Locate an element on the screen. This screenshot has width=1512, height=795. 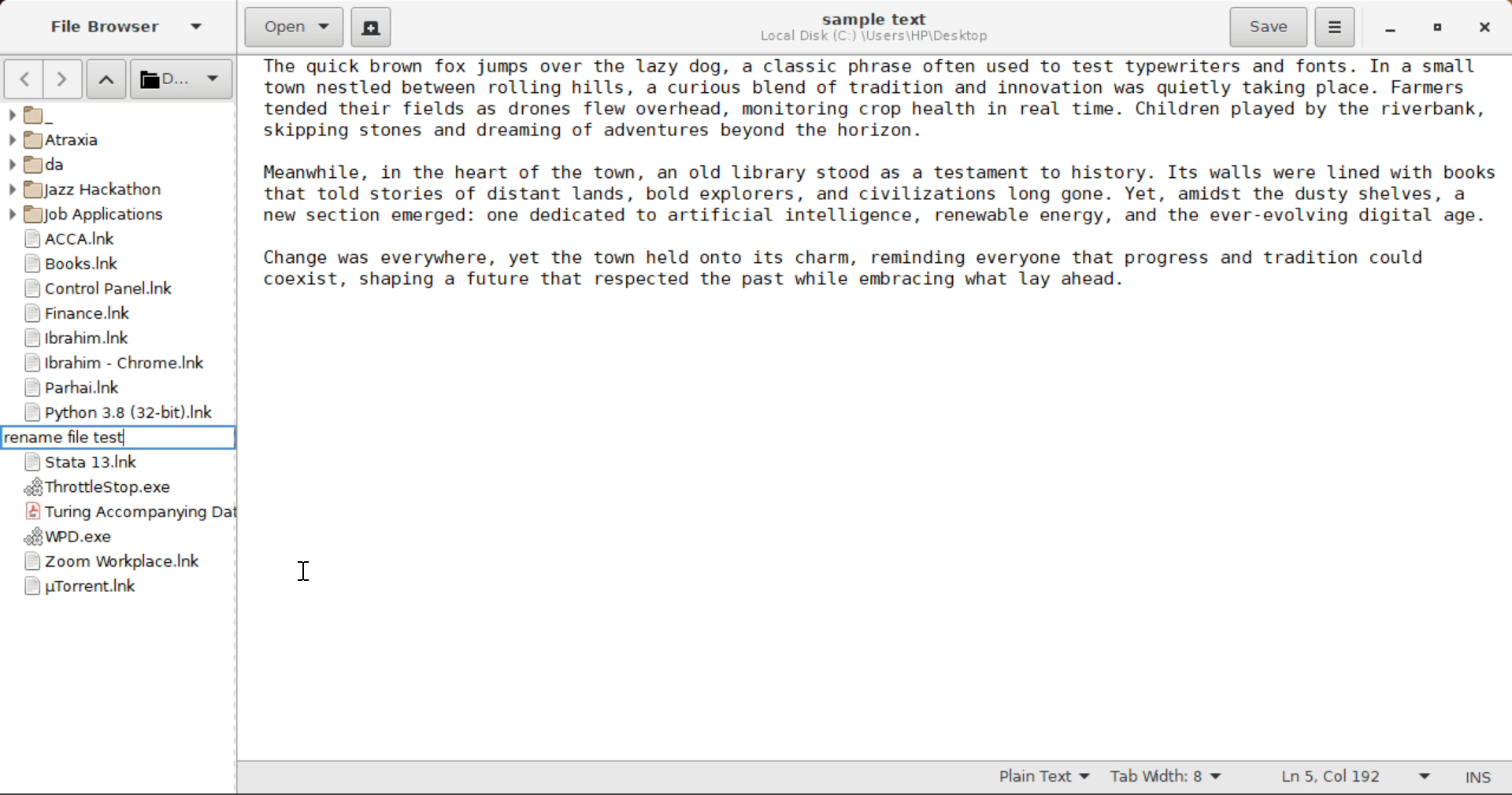
Input Mode is located at coordinates (1484, 778).